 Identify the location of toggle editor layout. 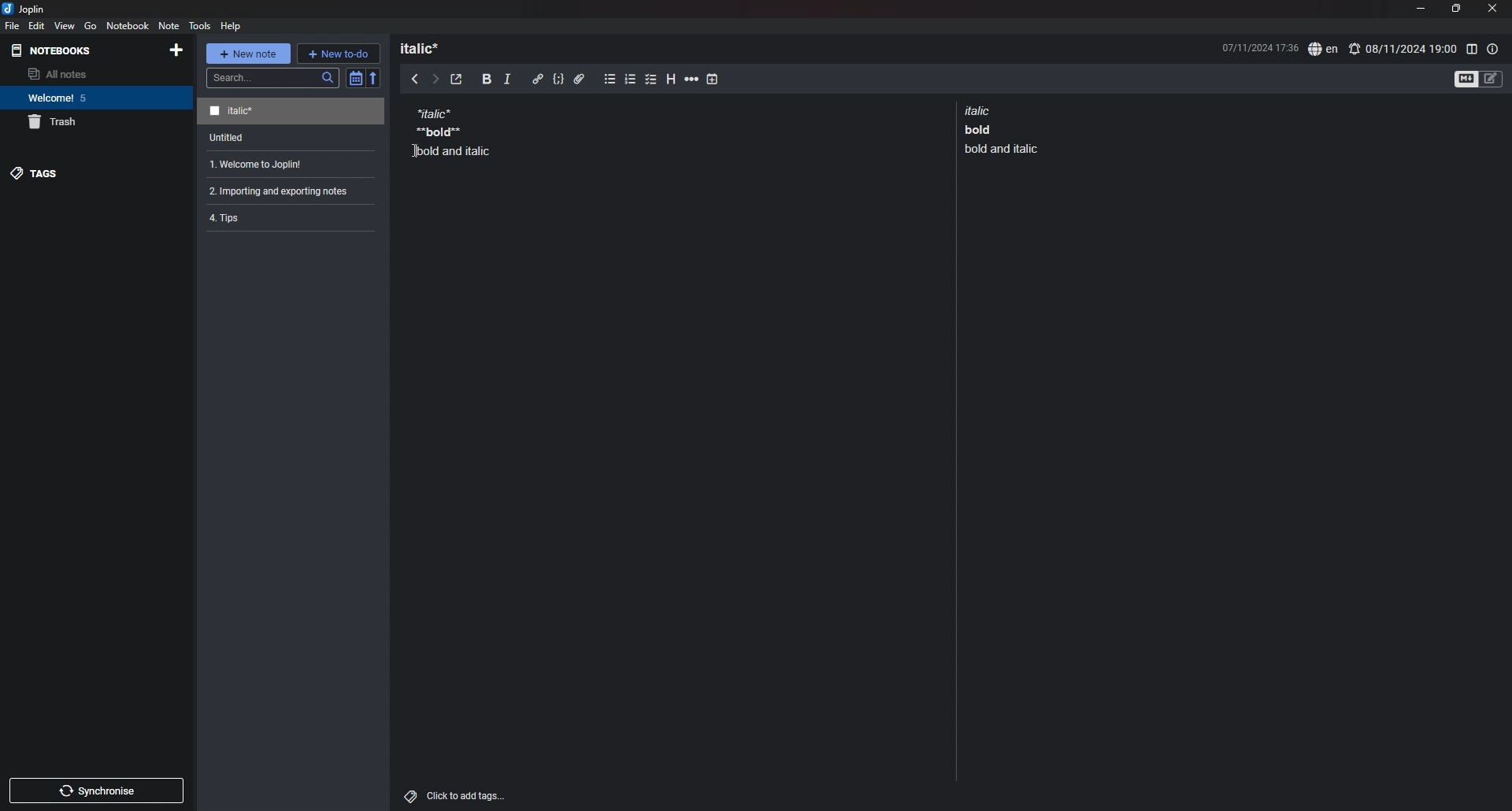
(1471, 49).